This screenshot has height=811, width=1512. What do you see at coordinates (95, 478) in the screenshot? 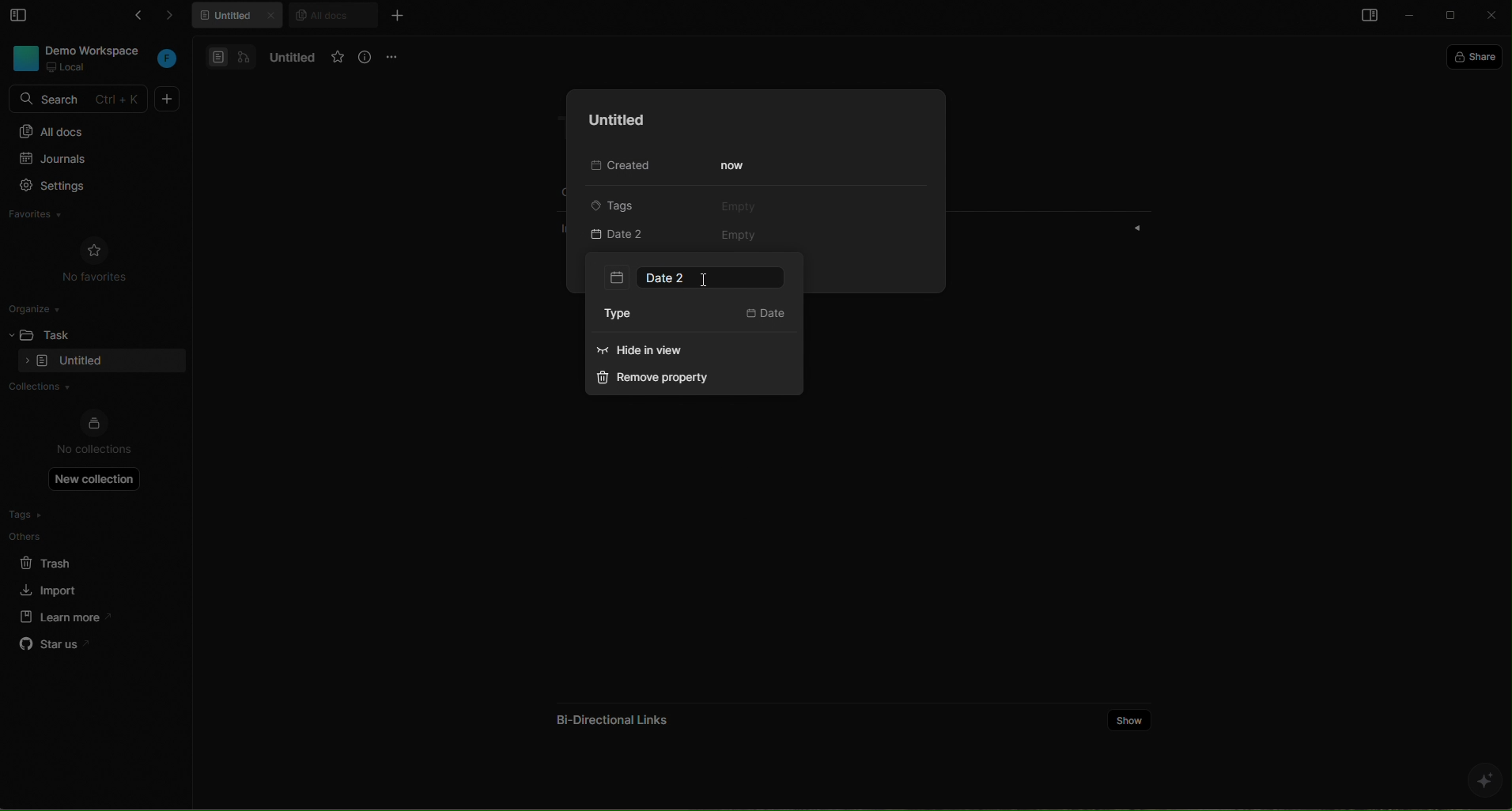
I see `new collection` at bounding box center [95, 478].